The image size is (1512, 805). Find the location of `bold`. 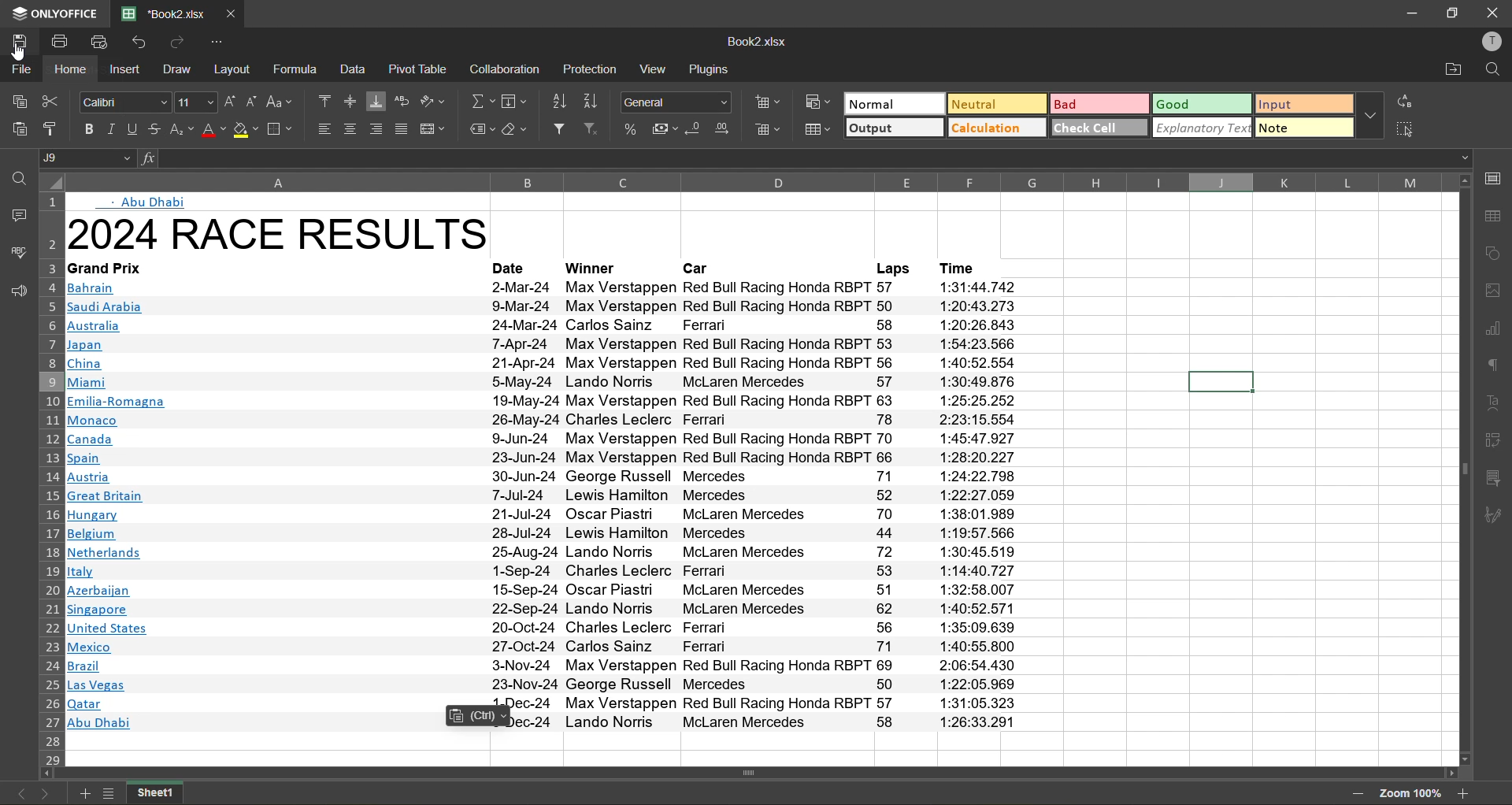

bold is located at coordinates (86, 127).